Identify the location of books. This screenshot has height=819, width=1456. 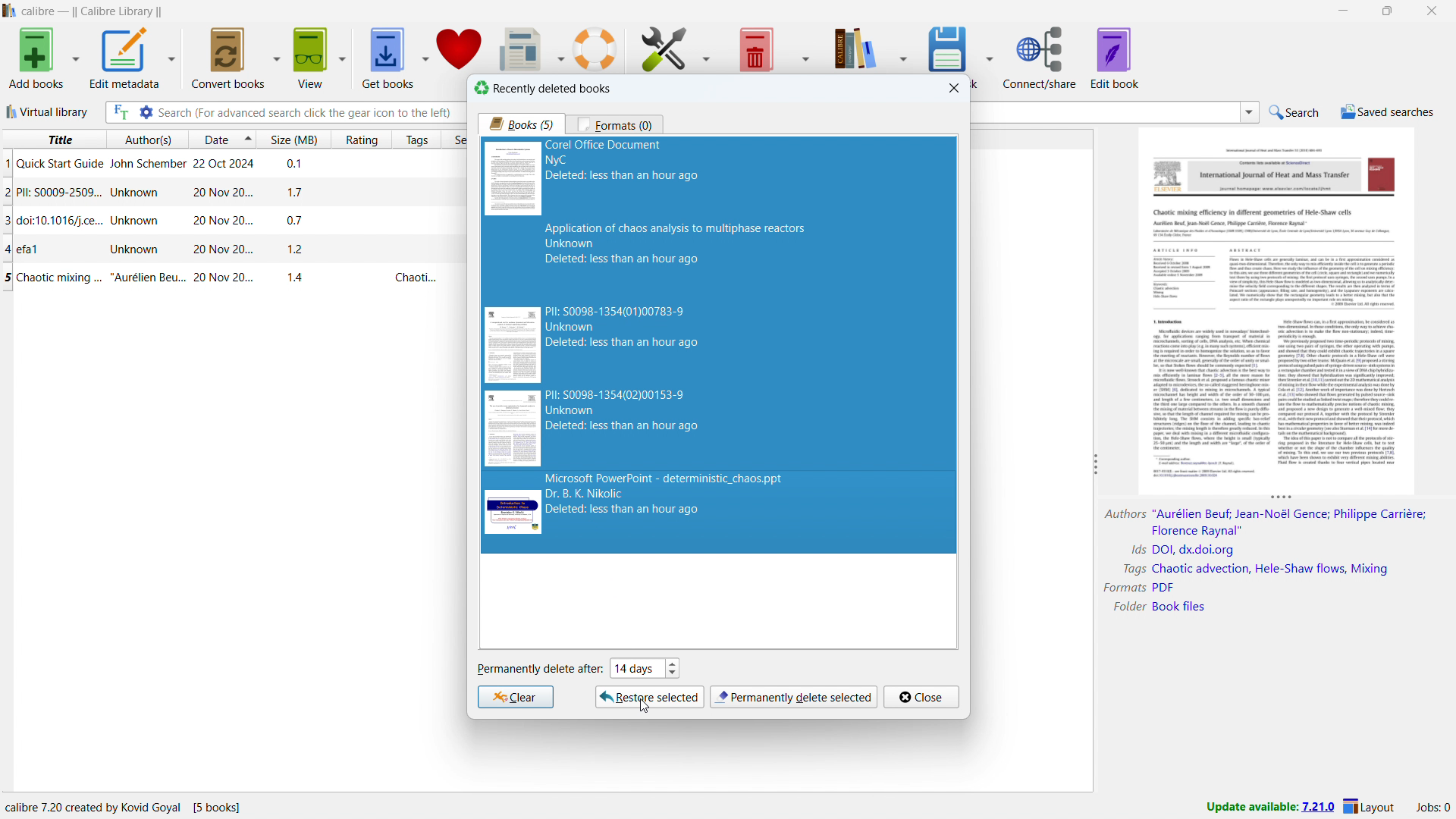
(522, 124).